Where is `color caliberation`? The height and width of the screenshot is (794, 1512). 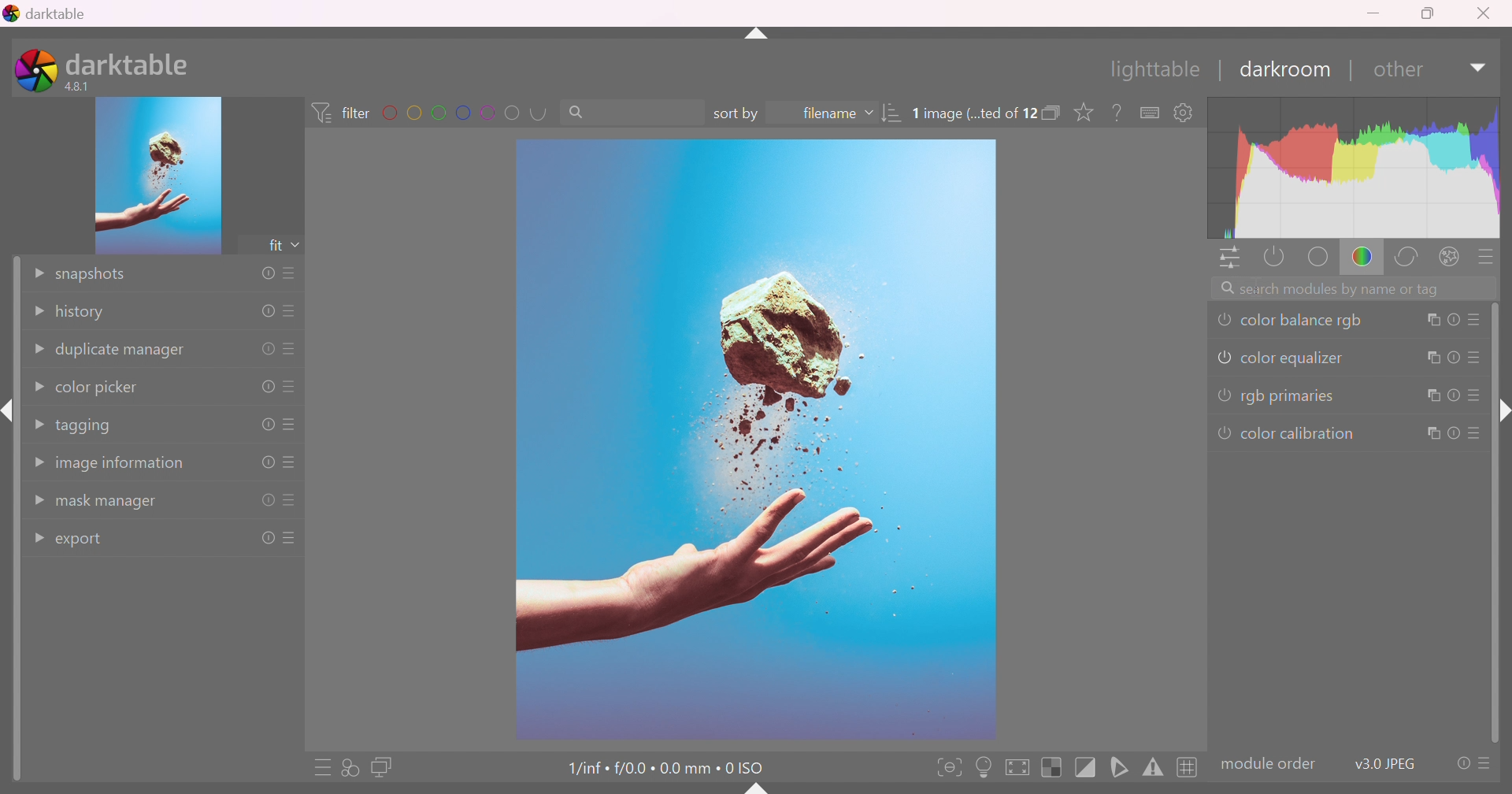 color caliberation is located at coordinates (1298, 432).